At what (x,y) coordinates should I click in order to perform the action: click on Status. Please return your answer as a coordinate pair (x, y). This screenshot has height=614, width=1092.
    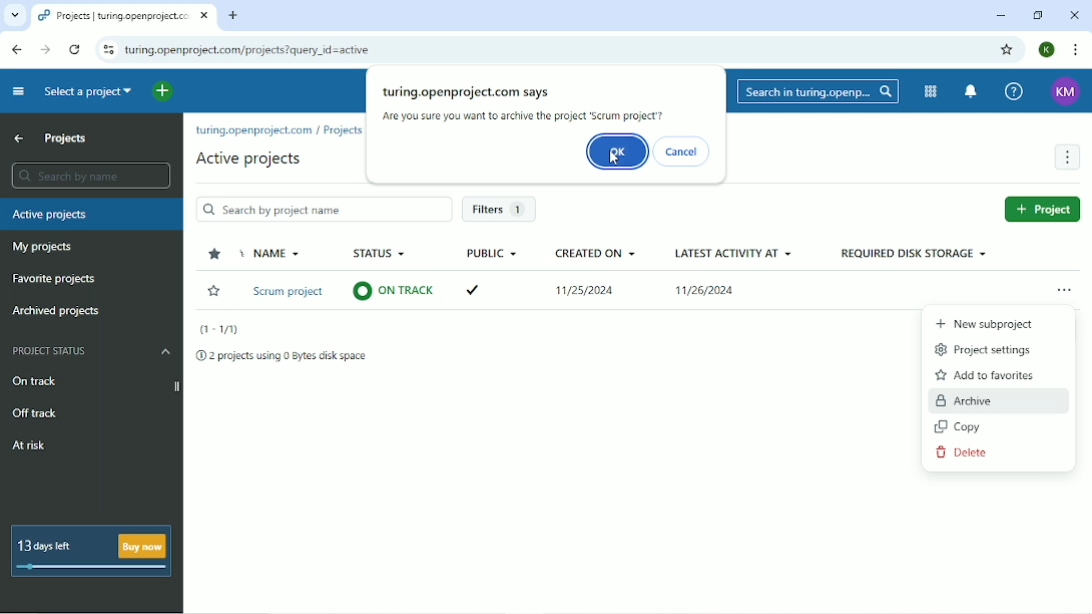
    Looking at the image, I should click on (381, 254).